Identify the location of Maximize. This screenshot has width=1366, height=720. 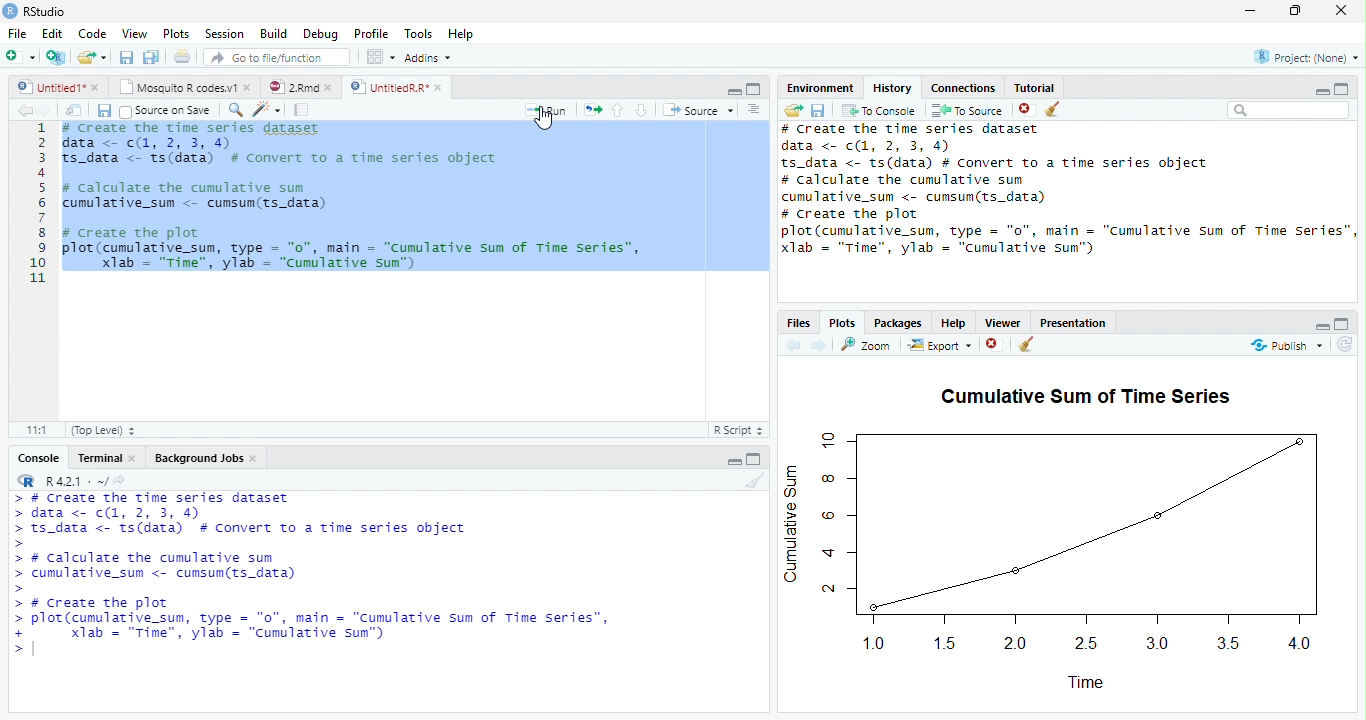
(1341, 325).